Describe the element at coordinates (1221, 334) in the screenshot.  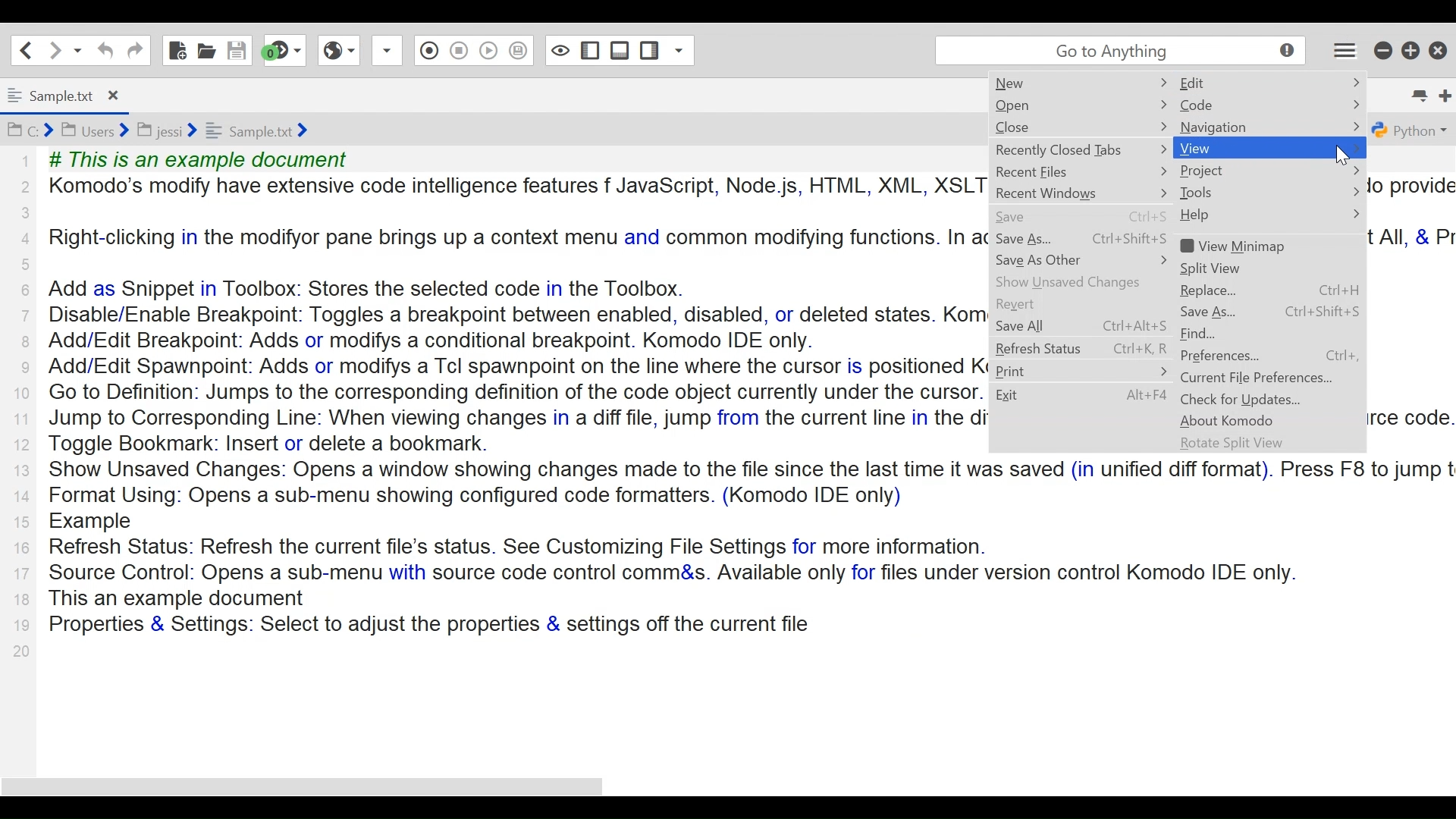
I see `Find...` at that location.